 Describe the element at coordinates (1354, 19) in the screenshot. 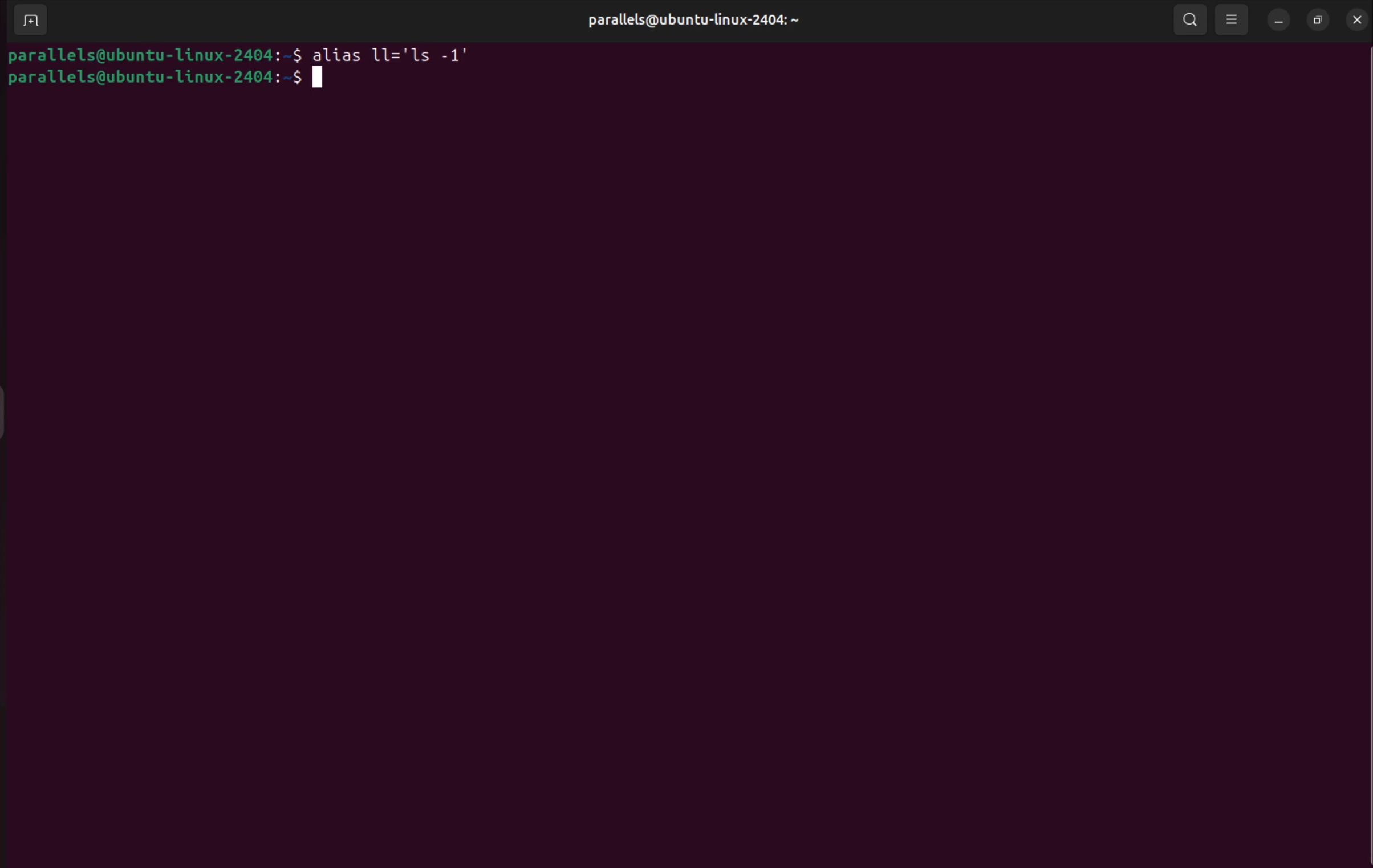

I see `close` at that location.